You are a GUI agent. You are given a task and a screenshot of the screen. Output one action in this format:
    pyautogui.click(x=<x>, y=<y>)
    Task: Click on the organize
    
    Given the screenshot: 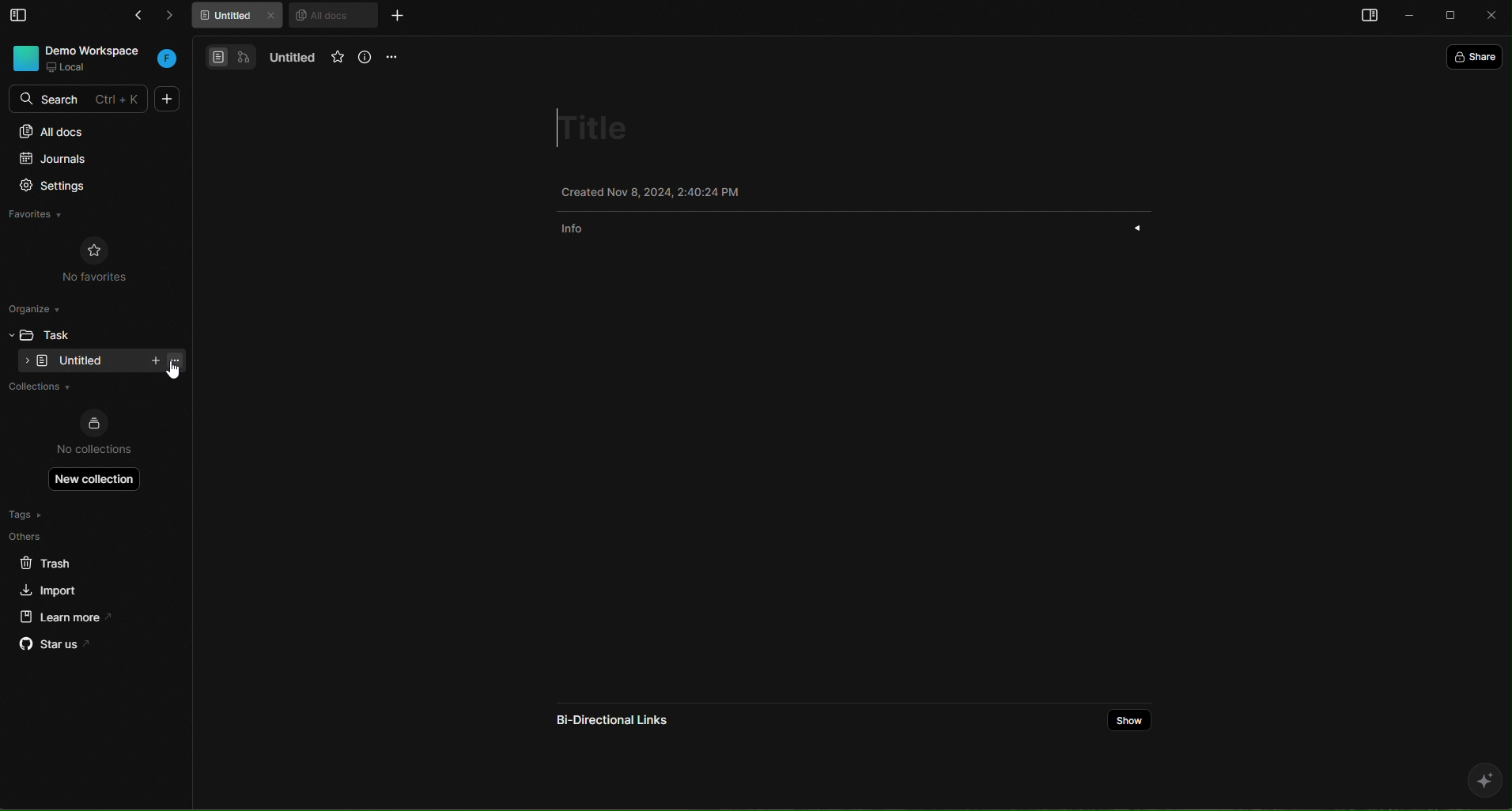 What is the action you would take?
    pyautogui.click(x=40, y=307)
    